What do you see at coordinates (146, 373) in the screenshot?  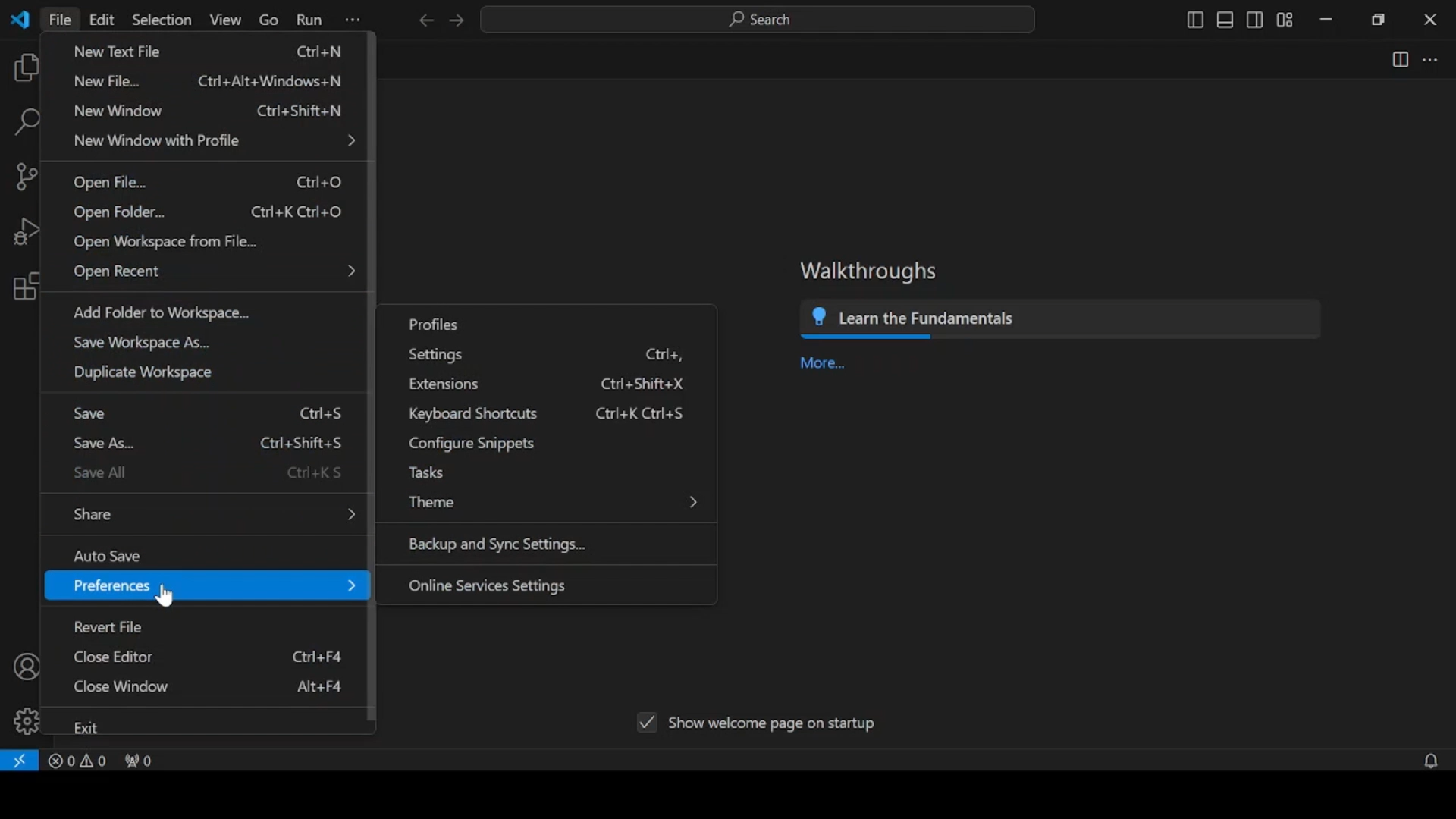 I see `duplicate workspace` at bounding box center [146, 373].